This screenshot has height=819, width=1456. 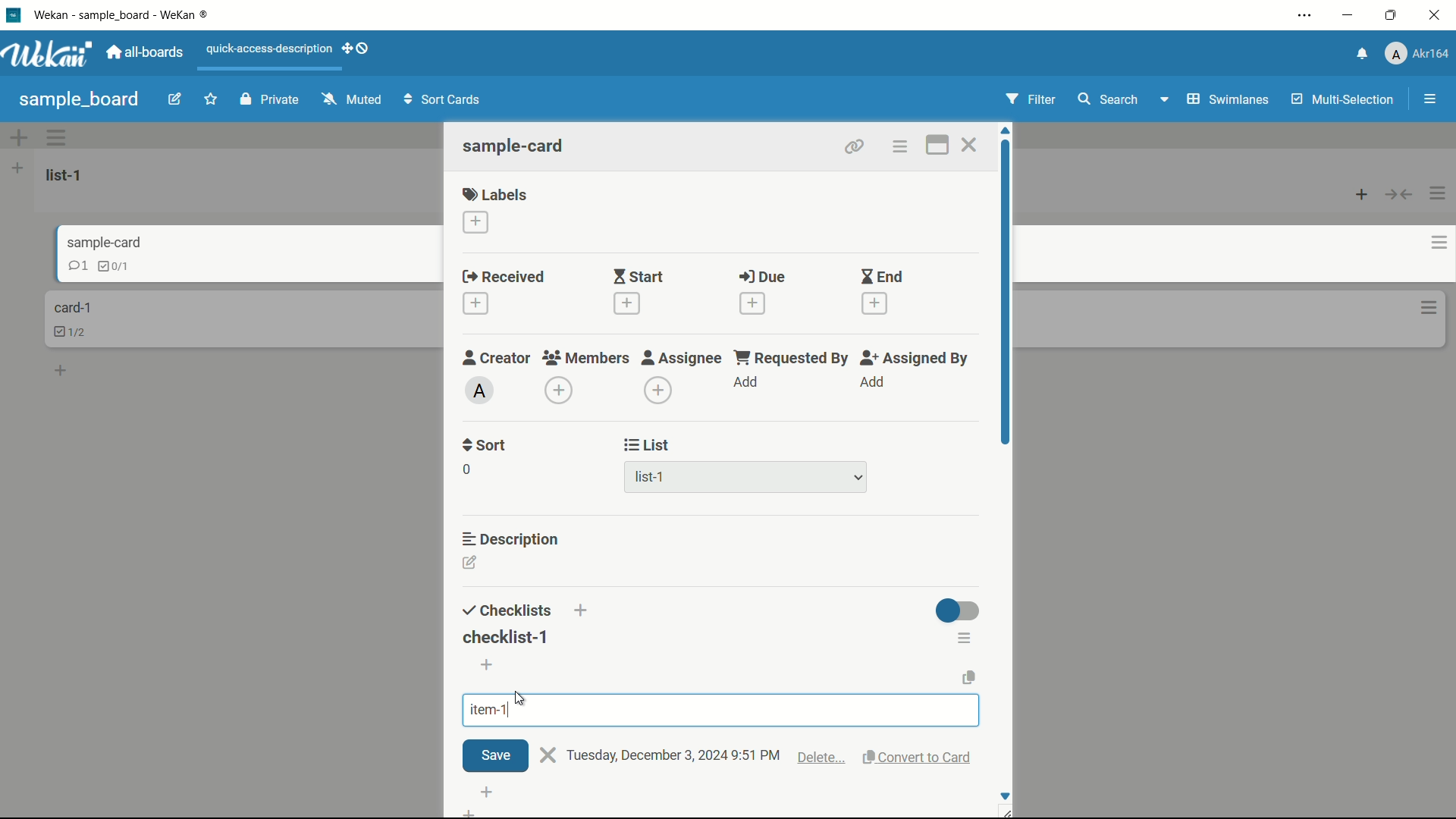 I want to click on star, so click(x=210, y=99).